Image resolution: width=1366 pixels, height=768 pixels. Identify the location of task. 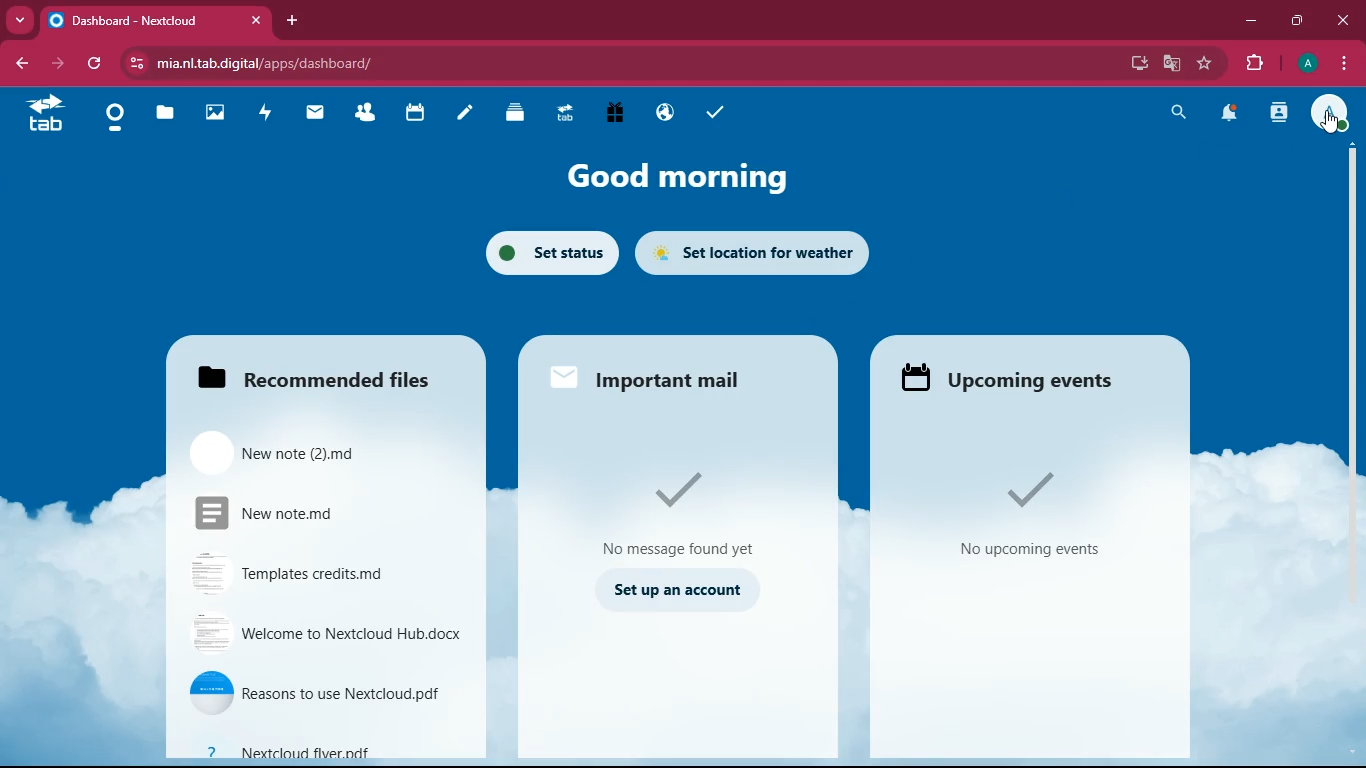
(719, 115).